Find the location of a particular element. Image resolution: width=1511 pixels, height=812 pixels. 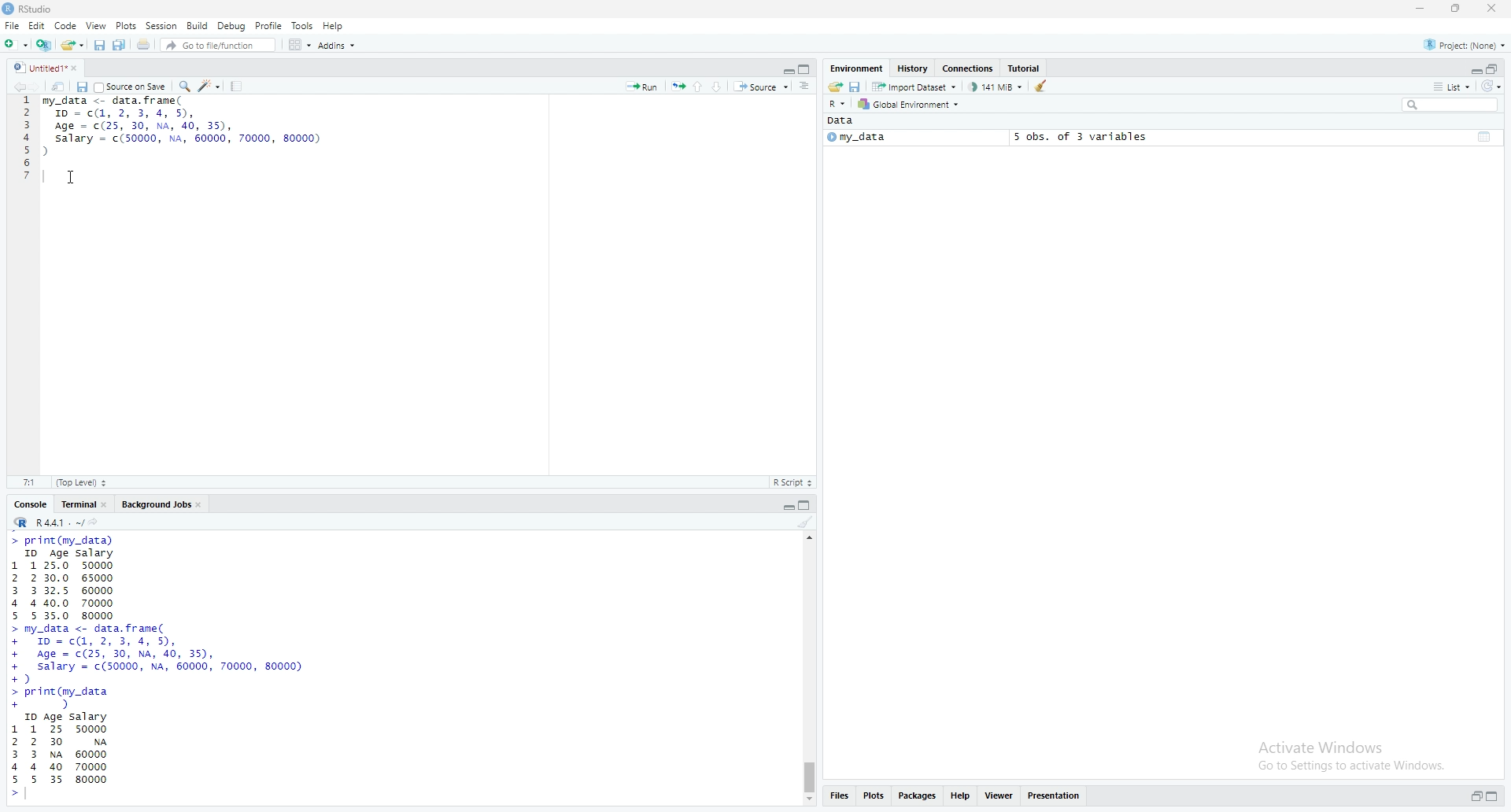

workspace panes is located at coordinates (301, 46).